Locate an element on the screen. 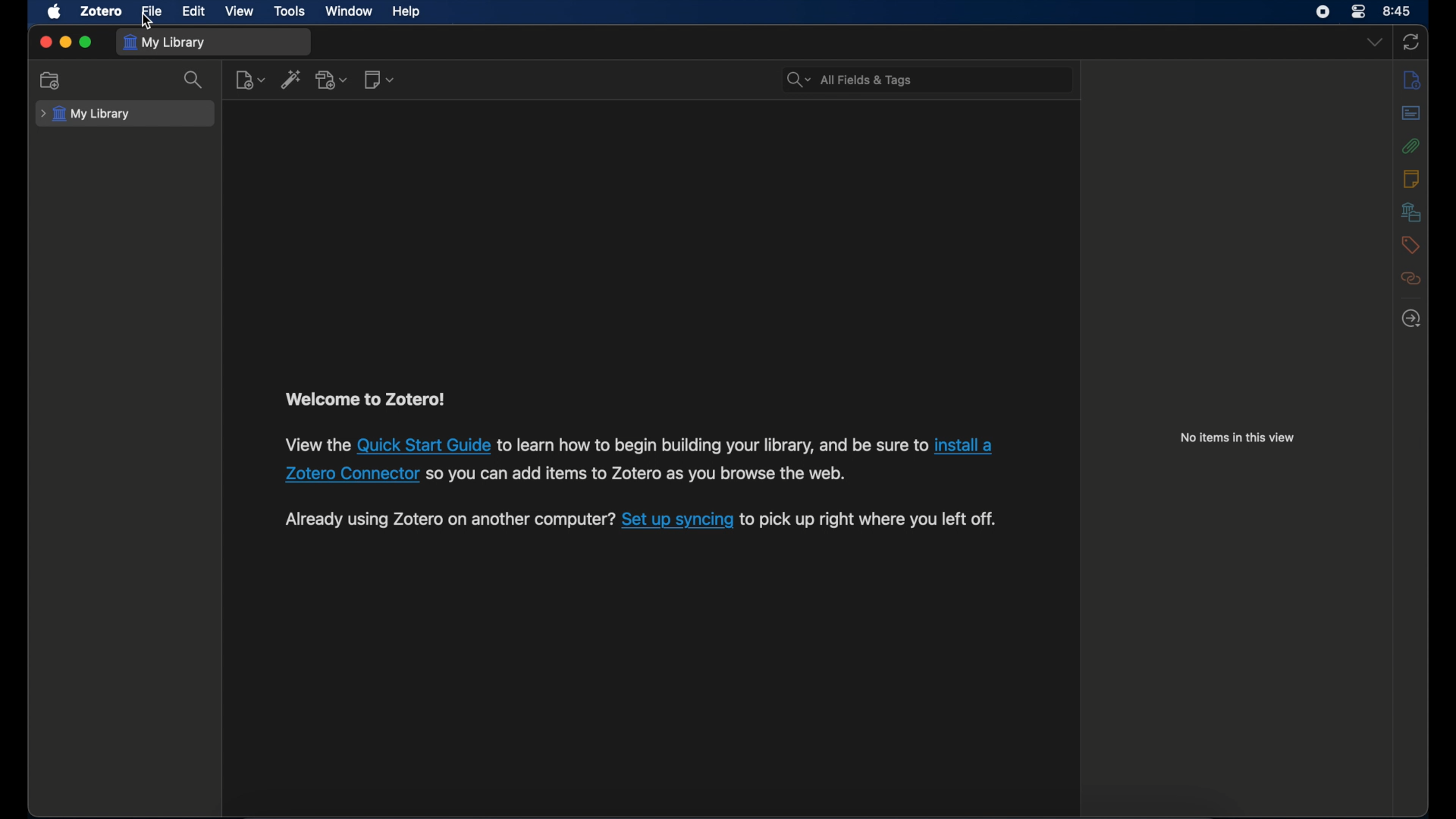  window is located at coordinates (350, 11).